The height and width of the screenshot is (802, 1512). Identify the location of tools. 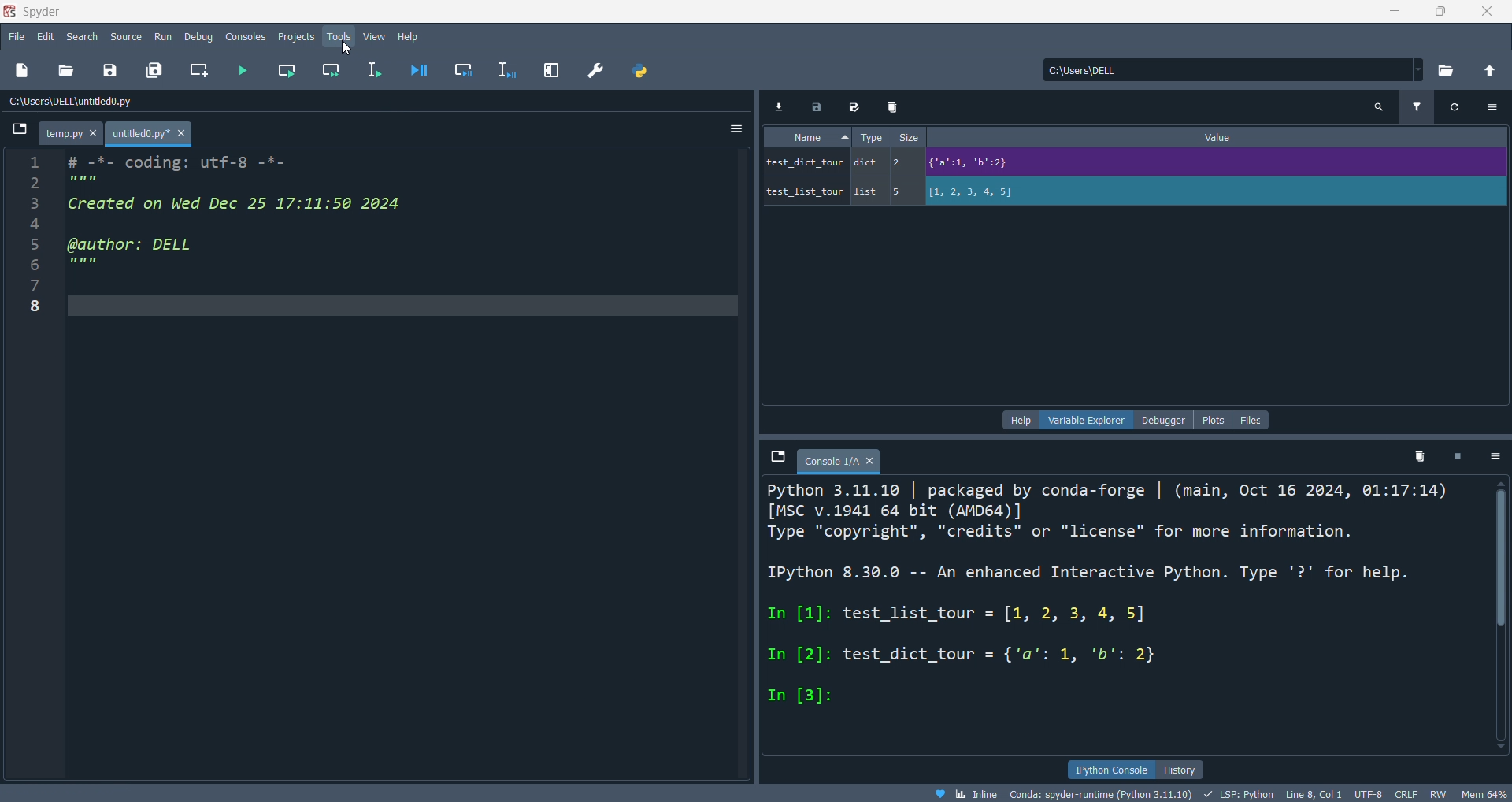
(335, 38).